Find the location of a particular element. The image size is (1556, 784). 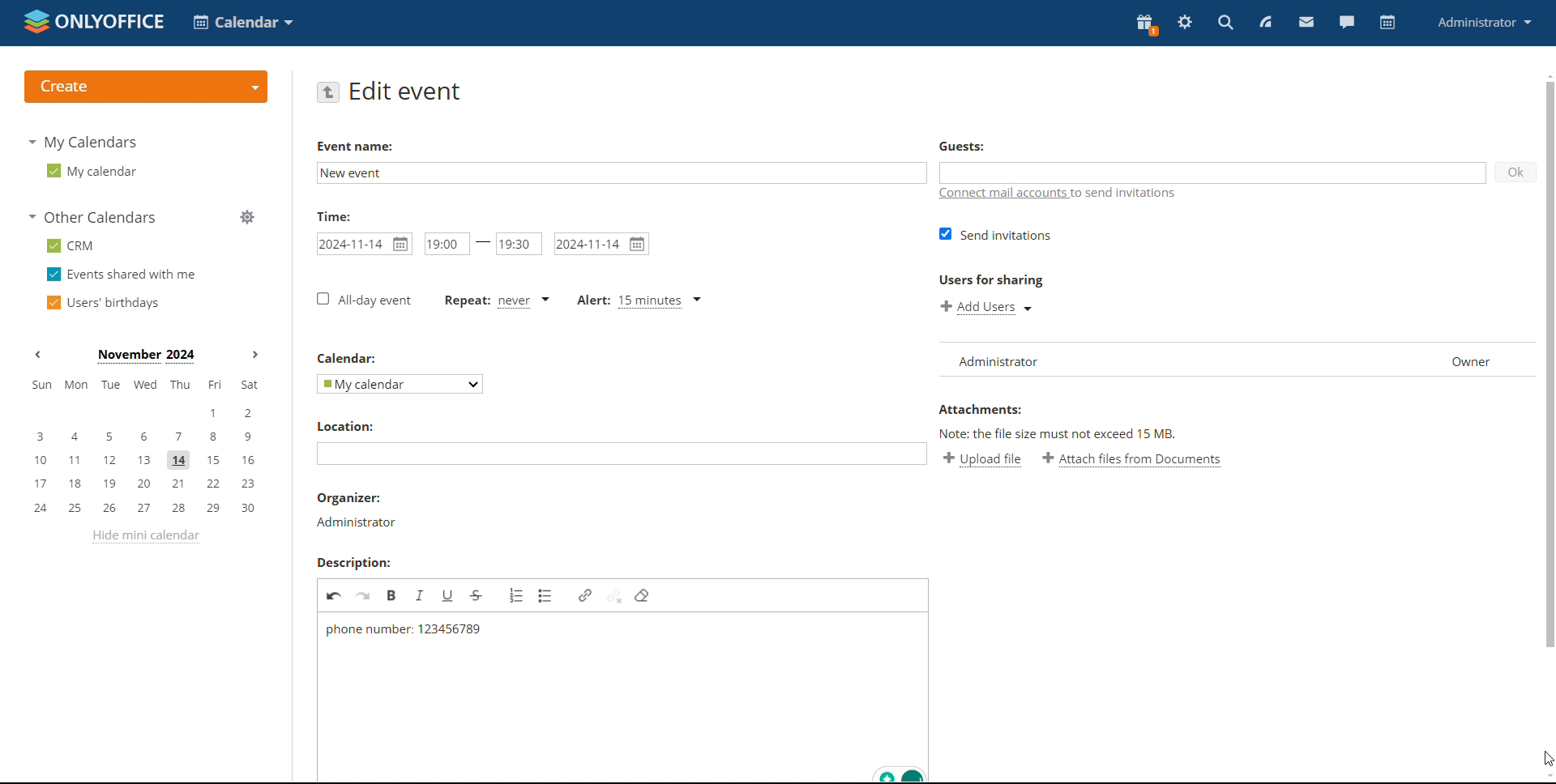

scroll up is located at coordinates (1546, 75).